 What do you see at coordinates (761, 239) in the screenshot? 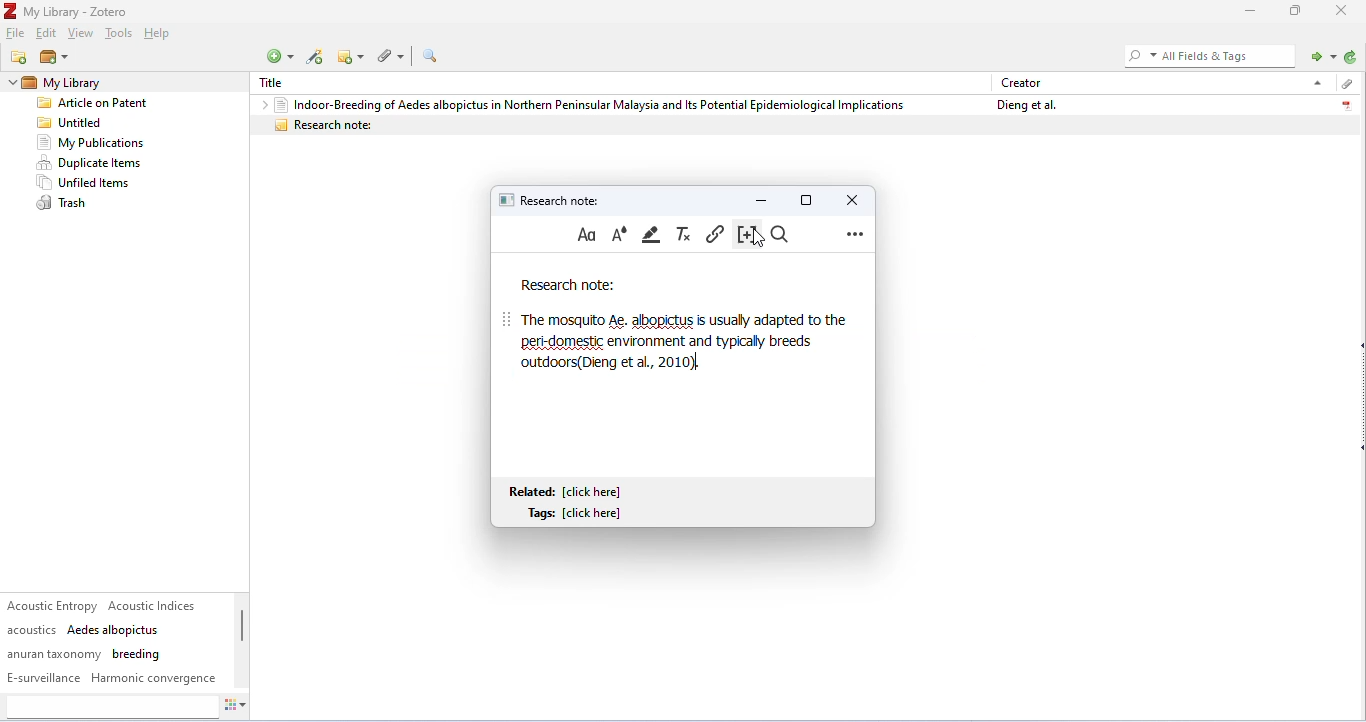
I see `cursor movement` at bounding box center [761, 239].